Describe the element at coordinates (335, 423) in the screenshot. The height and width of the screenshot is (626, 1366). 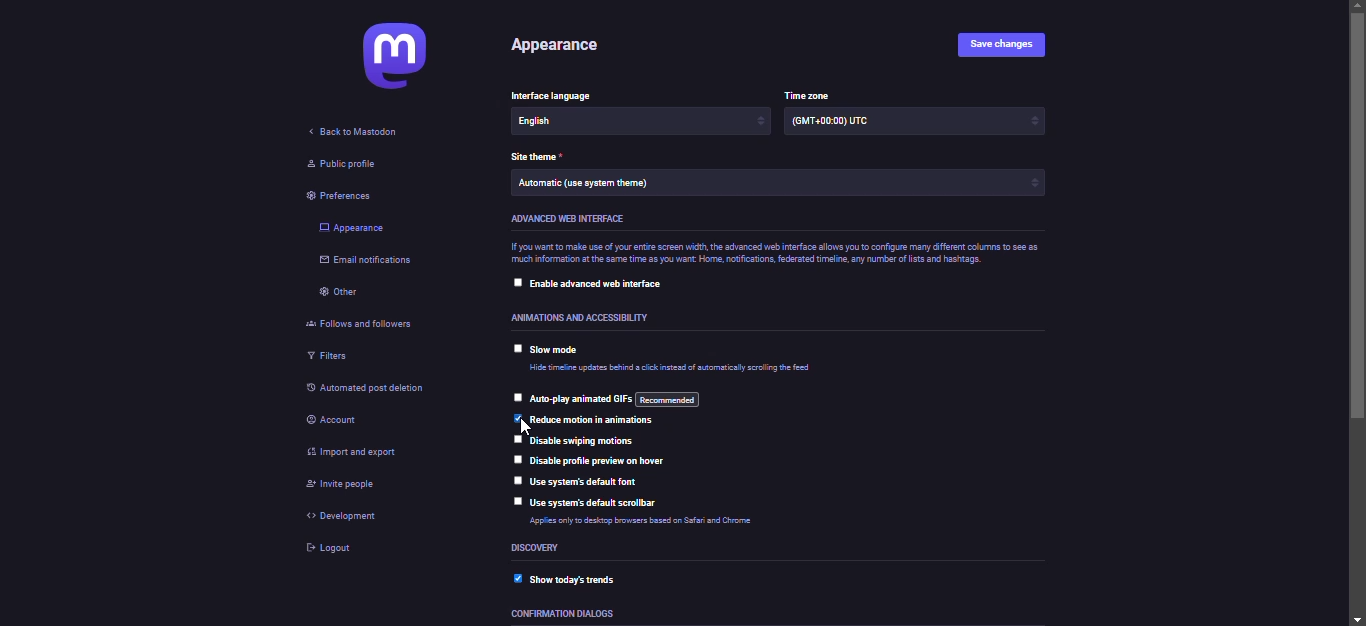
I see `account` at that location.